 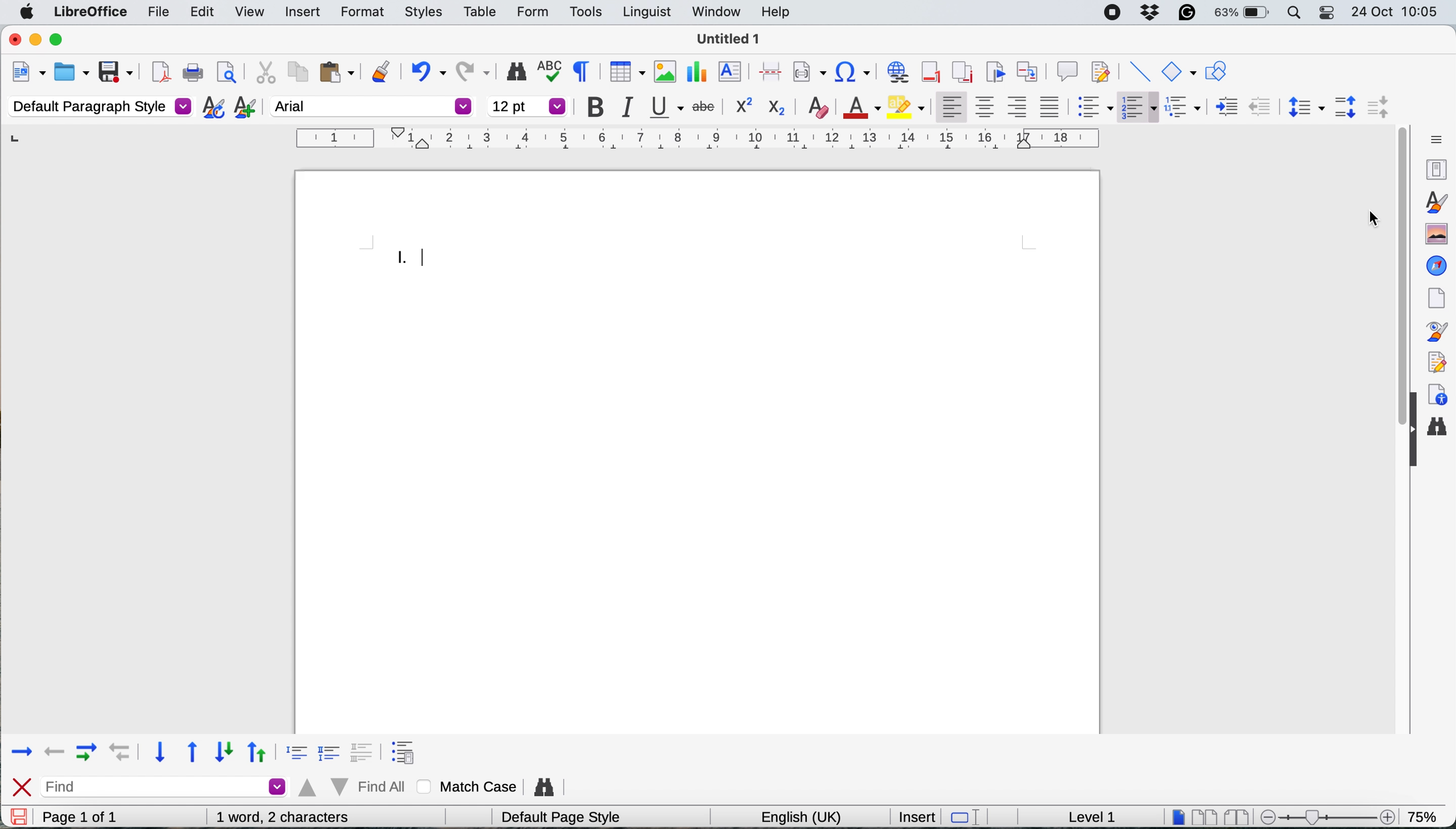 What do you see at coordinates (699, 141) in the screenshot?
I see `horizontal scale` at bounding box center [699, 141].